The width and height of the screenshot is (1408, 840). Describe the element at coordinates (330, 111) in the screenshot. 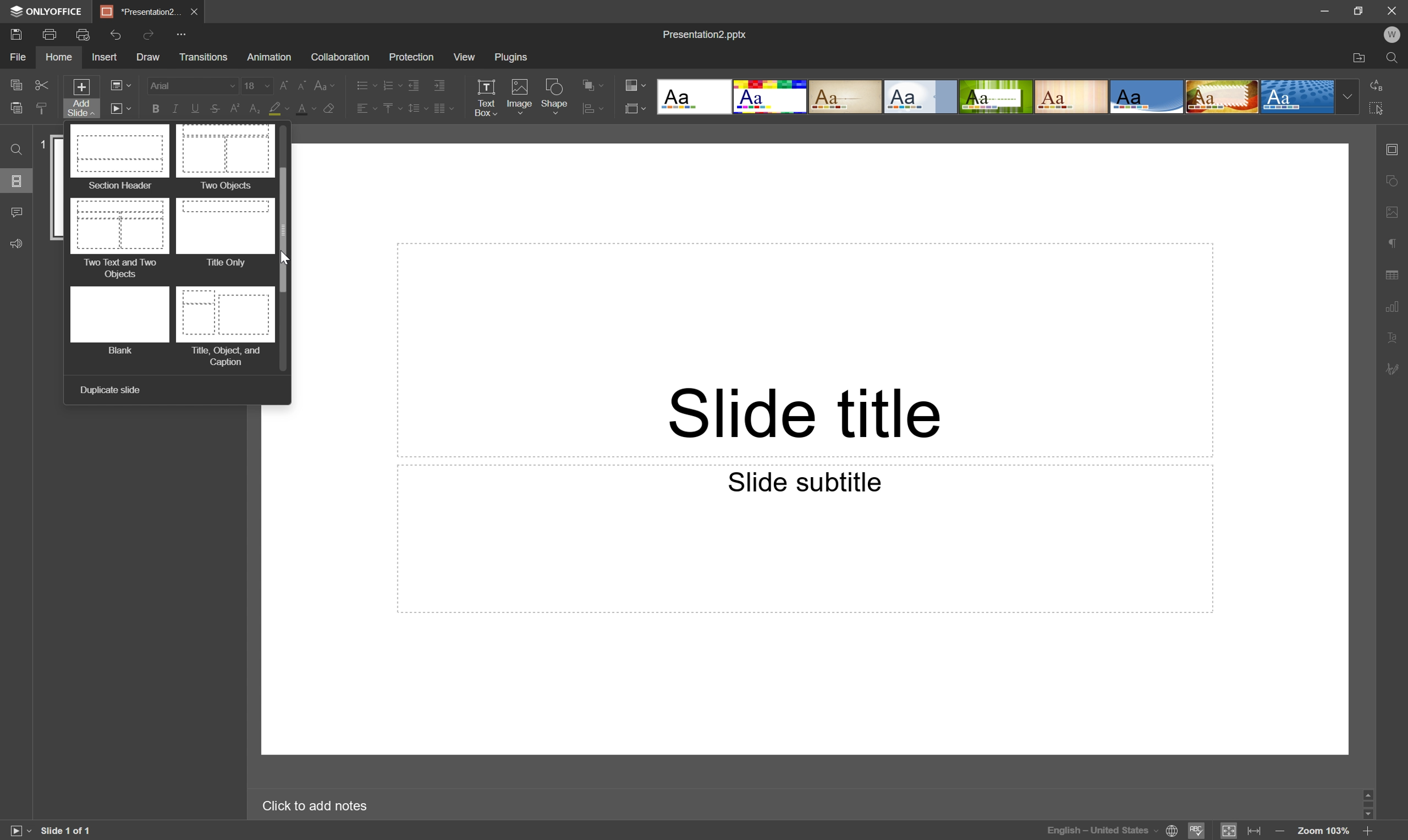

I see `Clear style` at that location.